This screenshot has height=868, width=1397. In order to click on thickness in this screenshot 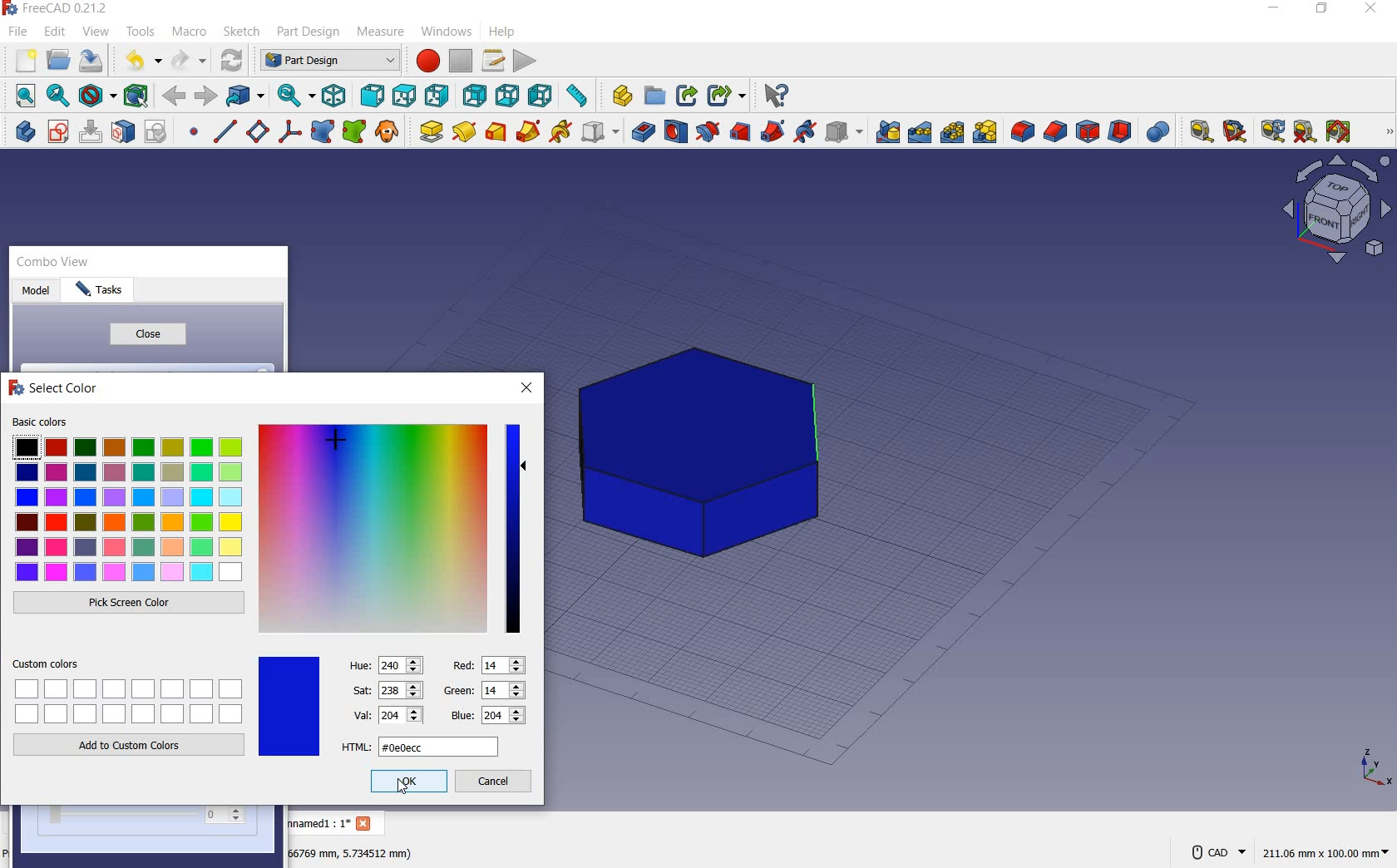, I will do `click(1121, 133)`.